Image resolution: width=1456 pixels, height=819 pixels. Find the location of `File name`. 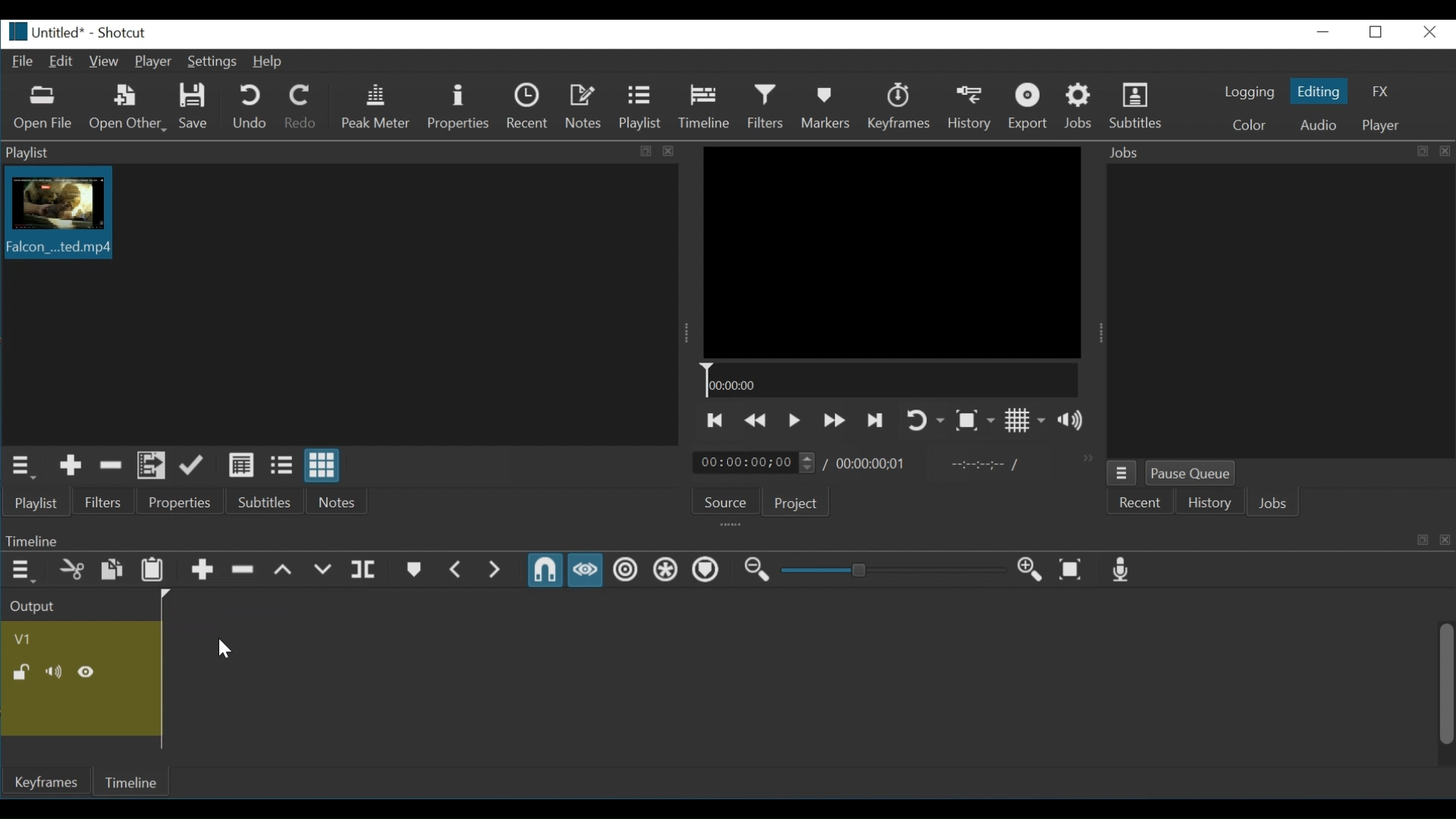

File name is located at coordinates (42, 32).